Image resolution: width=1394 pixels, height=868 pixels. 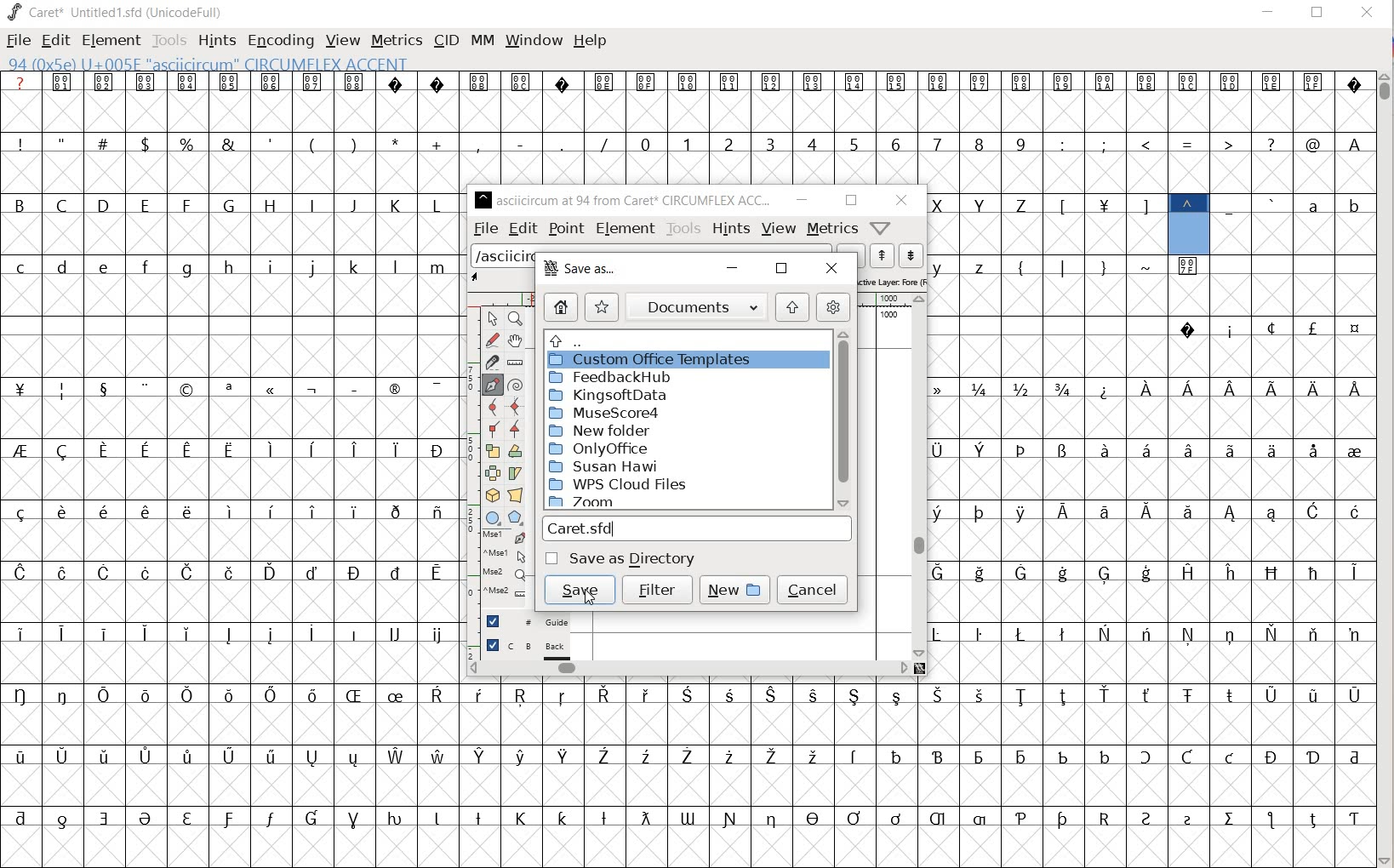 I want to click on documents, so click(x=699, y=306).